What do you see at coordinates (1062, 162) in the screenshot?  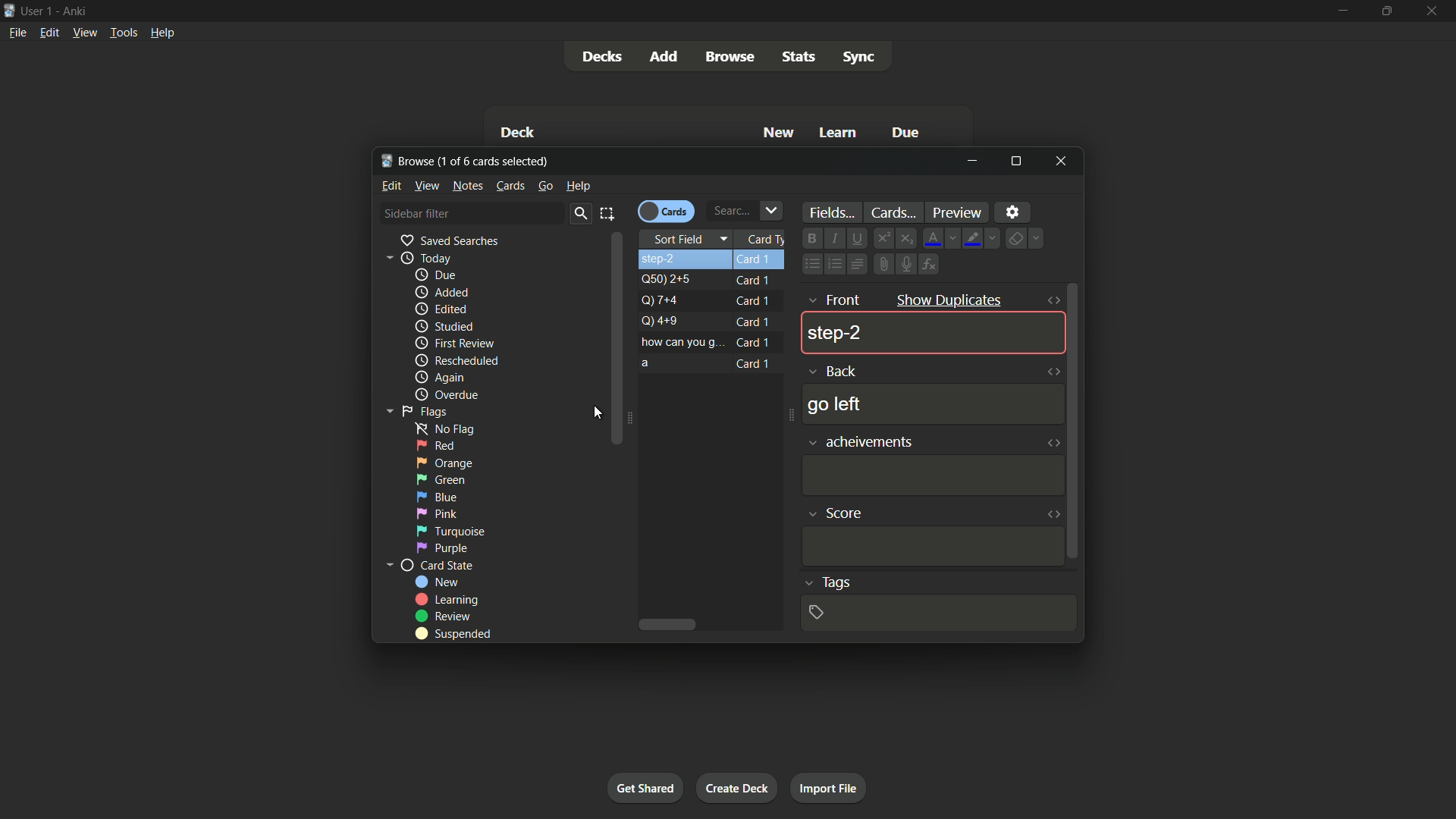 I see `Close browse` at bounding box center [1062, 162].